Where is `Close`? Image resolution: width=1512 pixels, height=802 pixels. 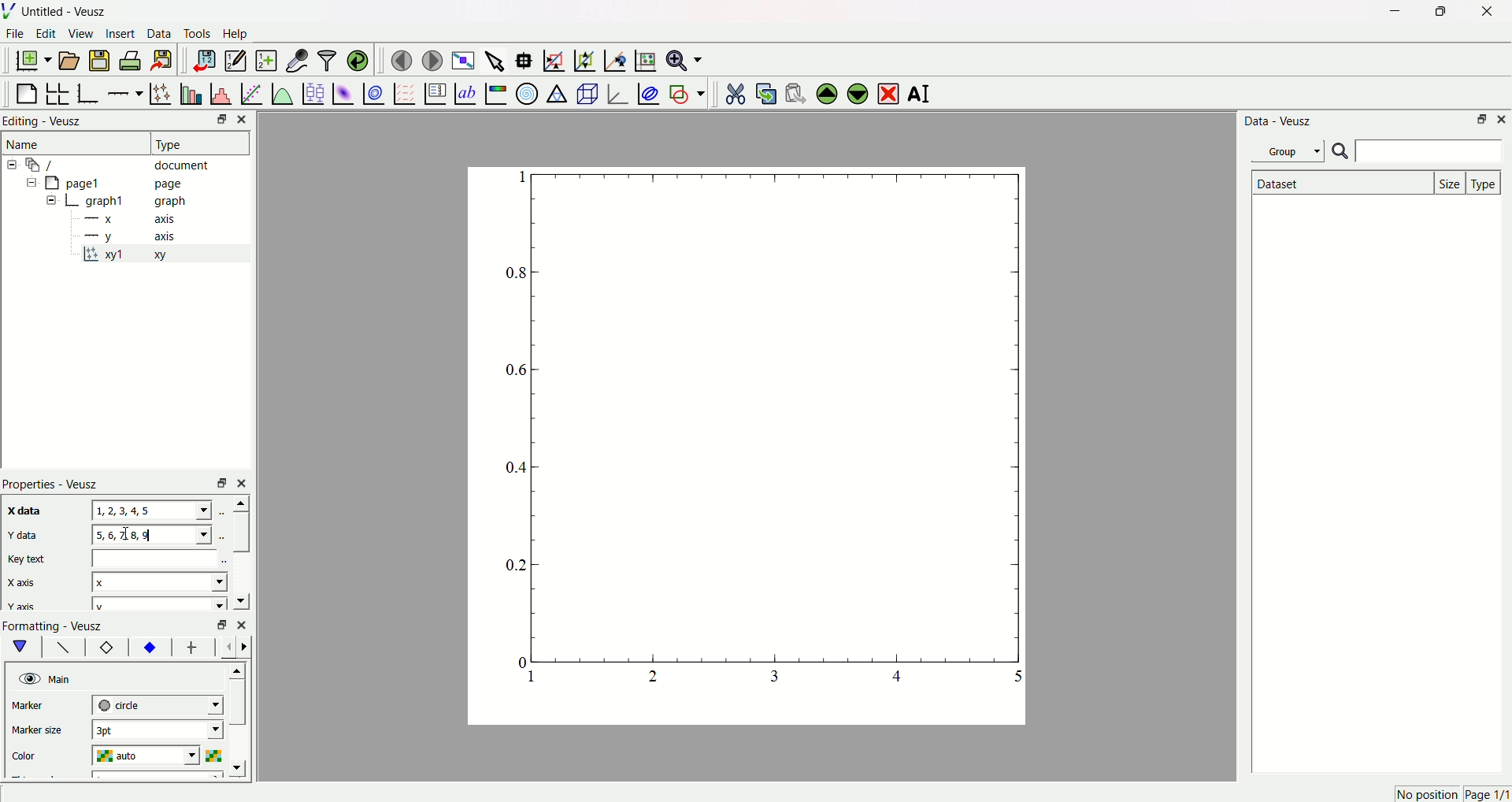 Close is located at coordinates (246, 119).